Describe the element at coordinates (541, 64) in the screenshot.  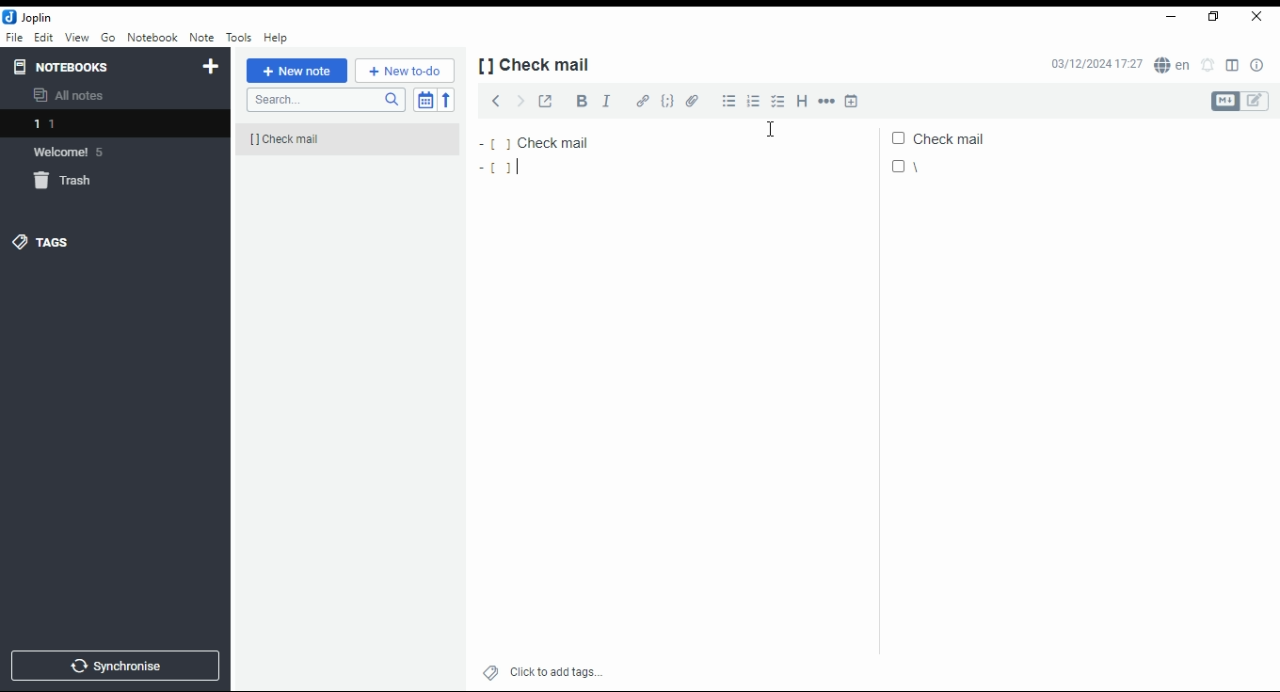
I see `[] check mail` at that location.